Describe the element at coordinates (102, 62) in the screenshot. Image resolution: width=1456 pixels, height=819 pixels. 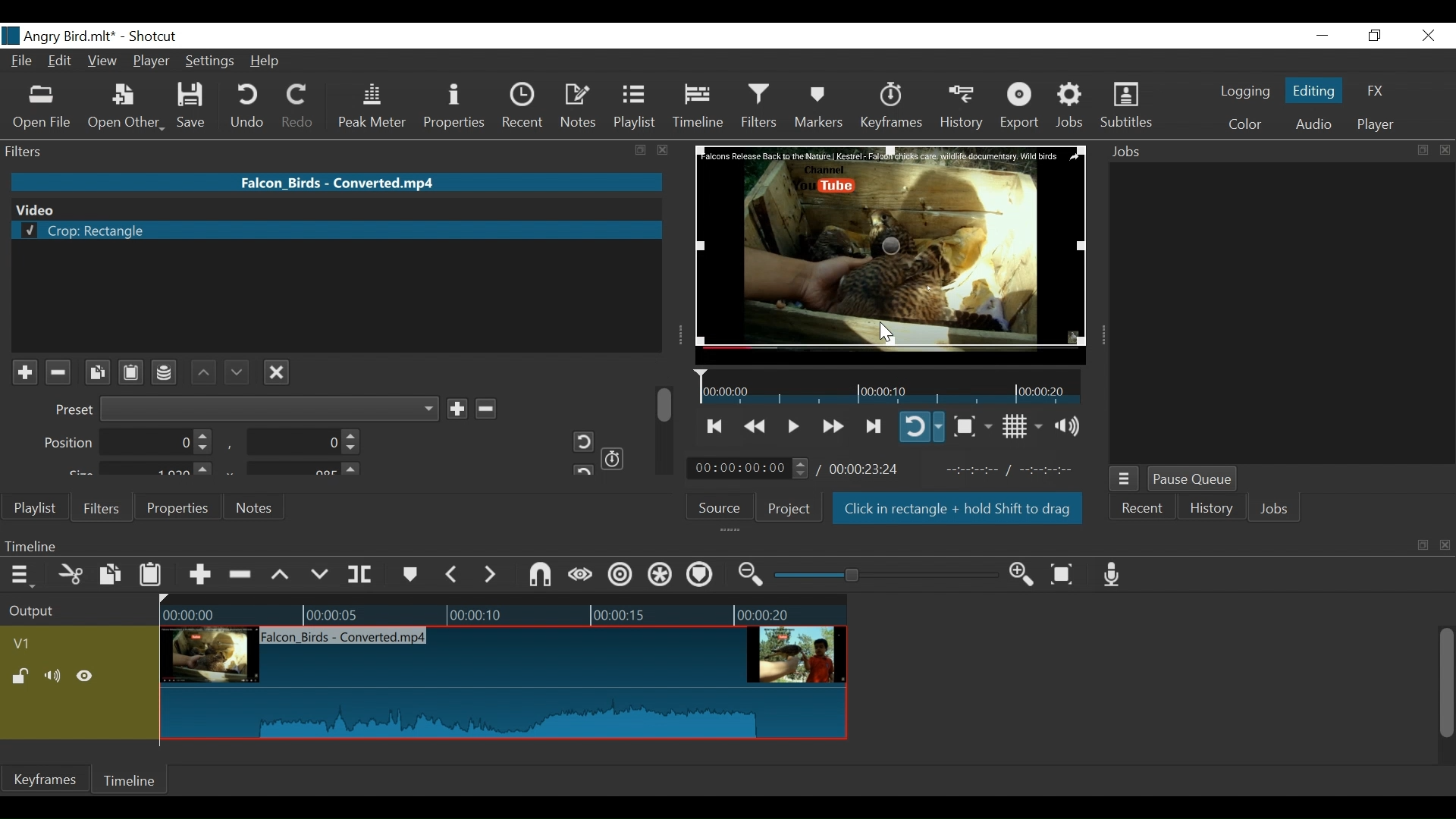
I see `View` at that location.